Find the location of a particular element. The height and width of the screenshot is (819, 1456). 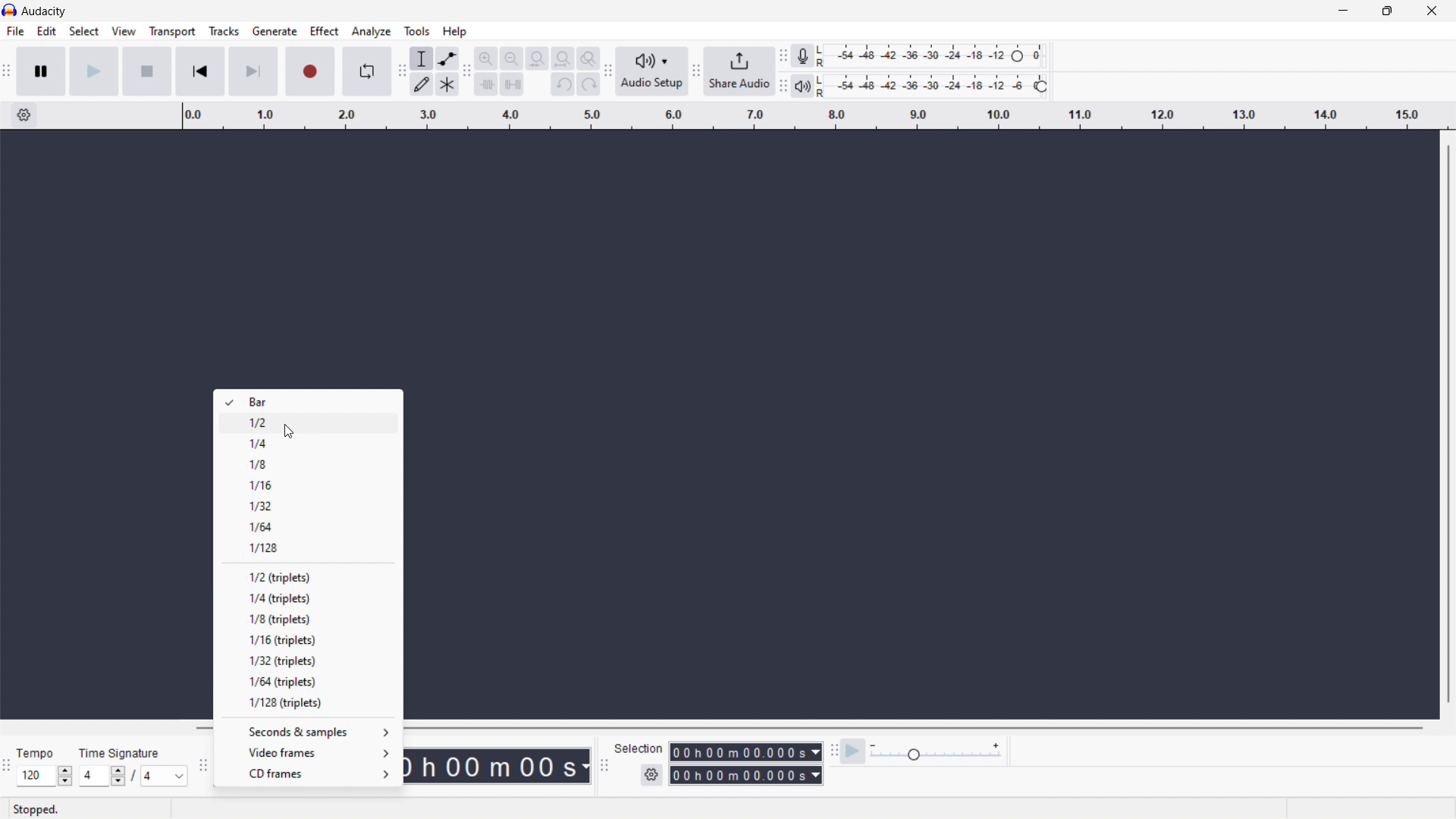

settings is located at coordinates (651, 774).